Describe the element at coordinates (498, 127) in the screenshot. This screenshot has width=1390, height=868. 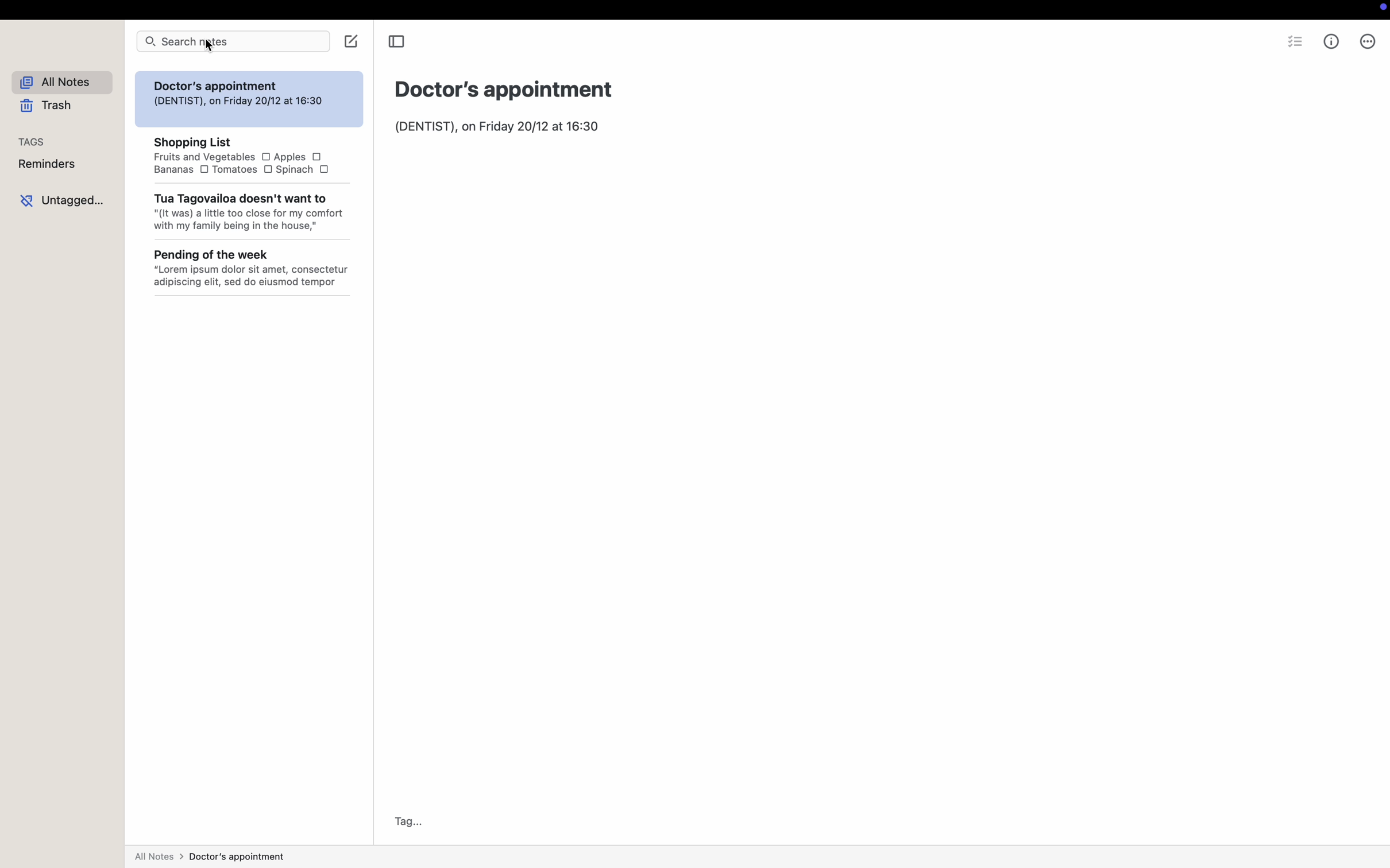
I see `(DENTIST), on Friday 20/12 at 16:30` at that location.